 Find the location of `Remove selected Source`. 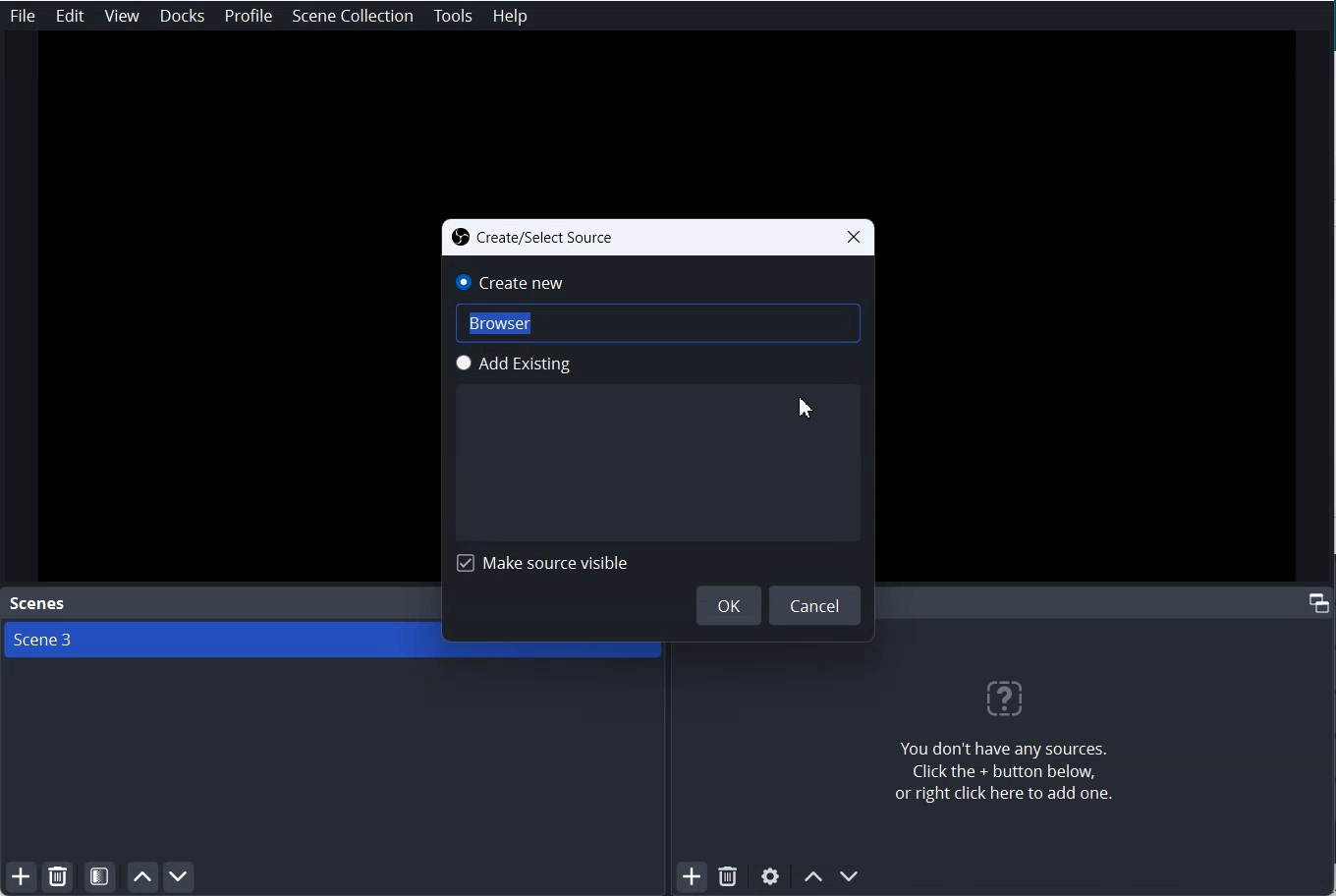

Remove selected Source is located at coordinates (728, 877).